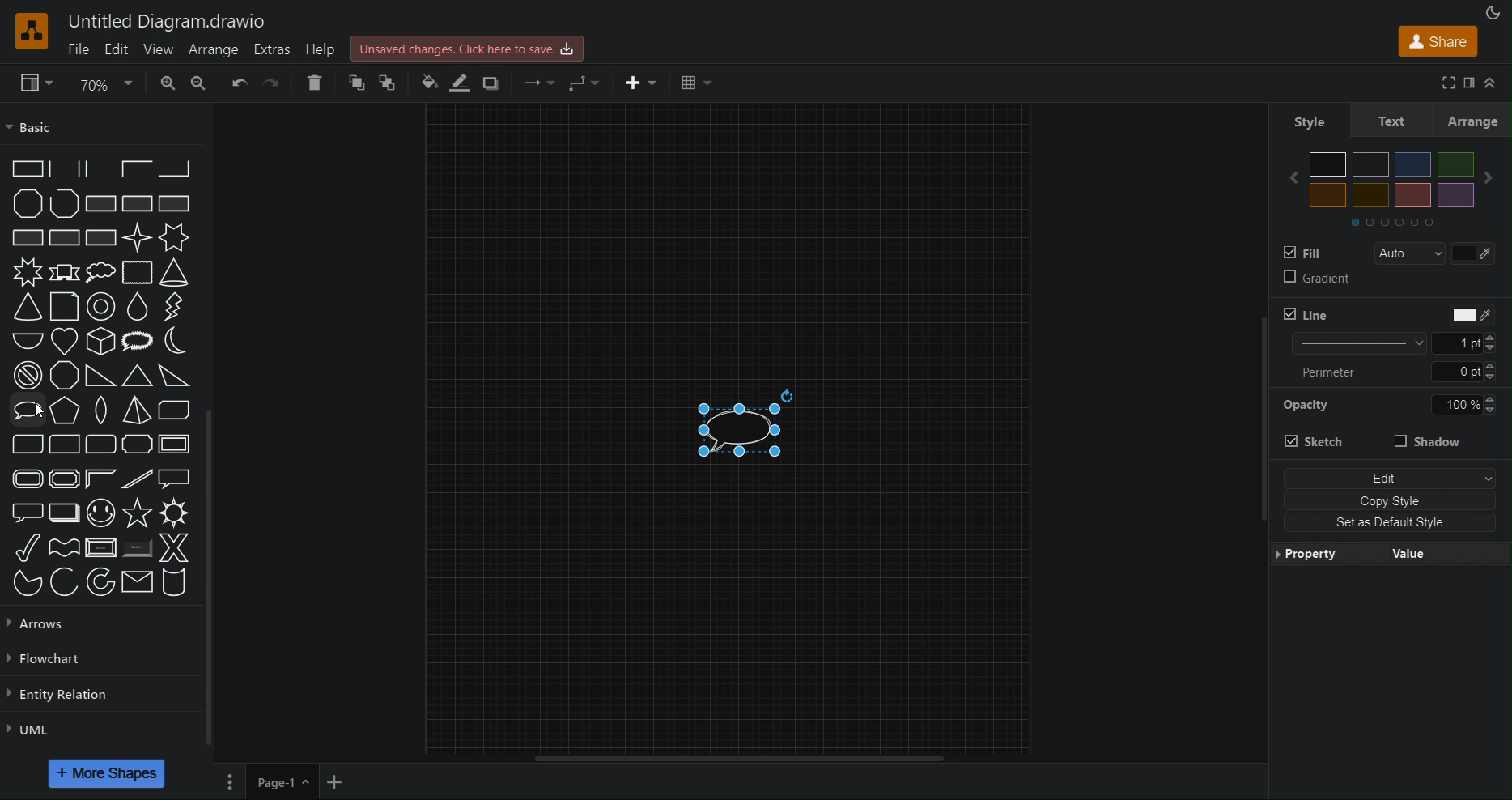 Image resolution: width=1512 pixels, height=800 pixels. I want to click on X, so click(174, 547).